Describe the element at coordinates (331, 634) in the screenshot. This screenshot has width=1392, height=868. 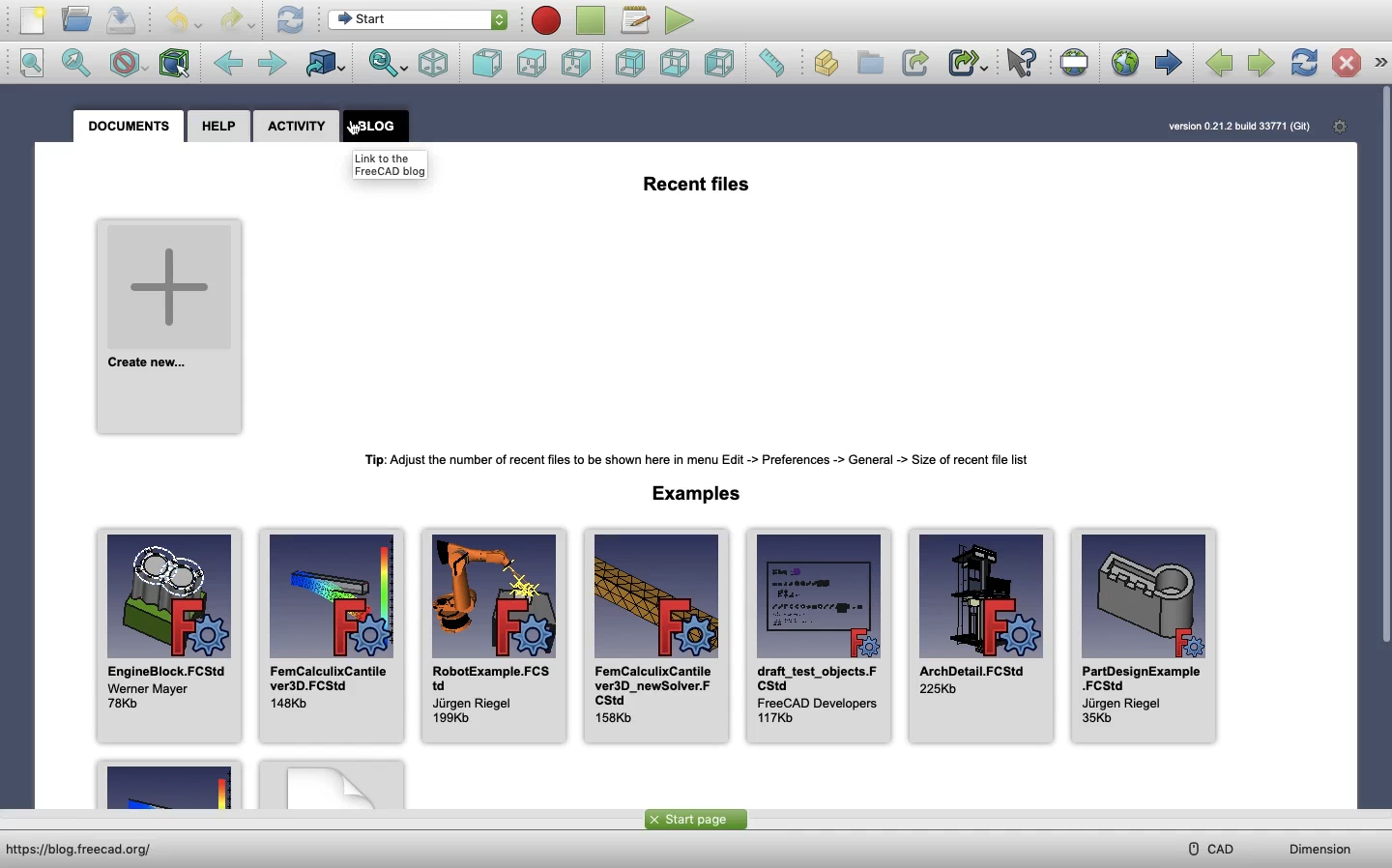
I see `Femcalculix` at that location.